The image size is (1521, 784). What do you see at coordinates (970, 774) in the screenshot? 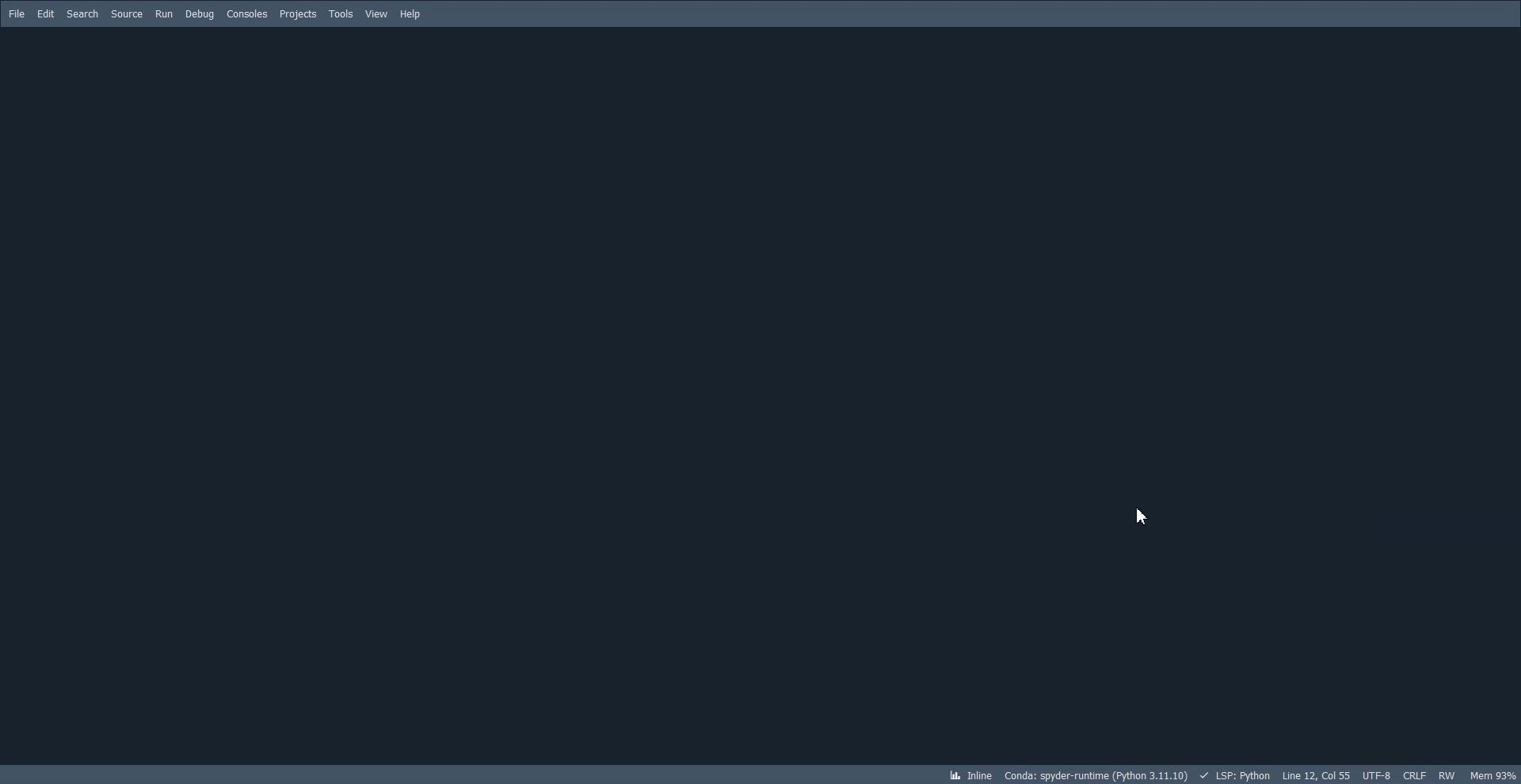
I see `Inline` at bounding box center [970, 774].